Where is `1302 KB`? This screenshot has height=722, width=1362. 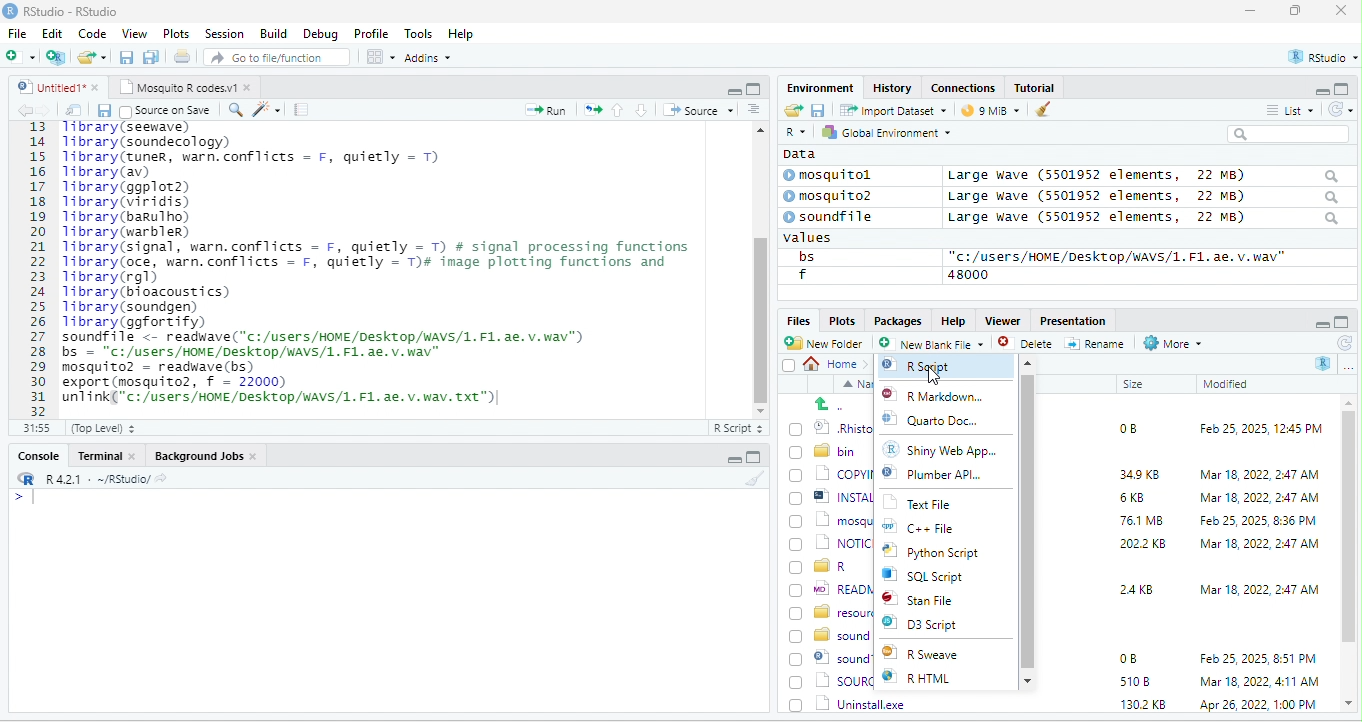 1302 KB is located at coordinates (1145, 704).